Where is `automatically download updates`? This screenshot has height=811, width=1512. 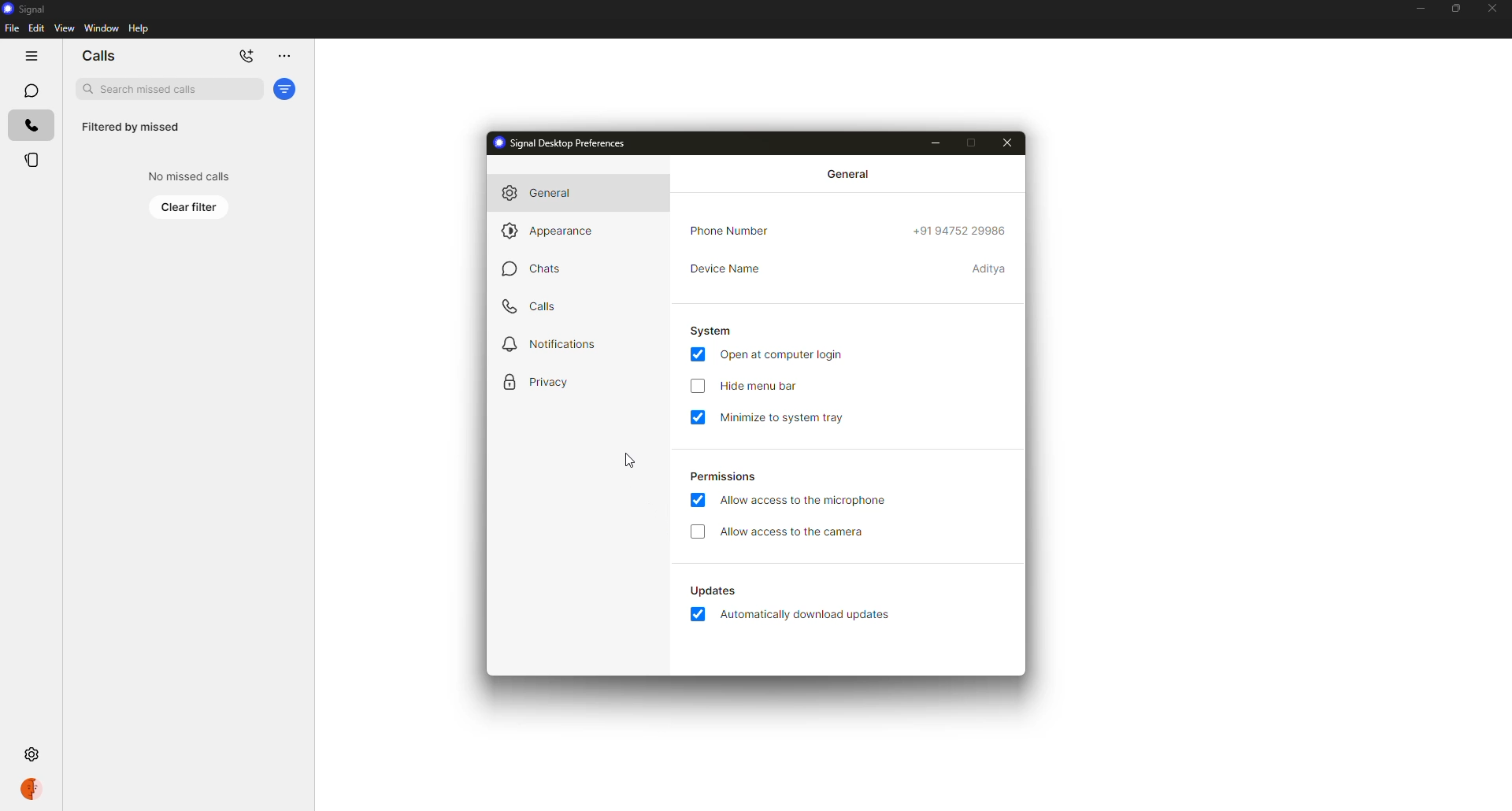 automatically download updates is located at coordinates (806, 614).